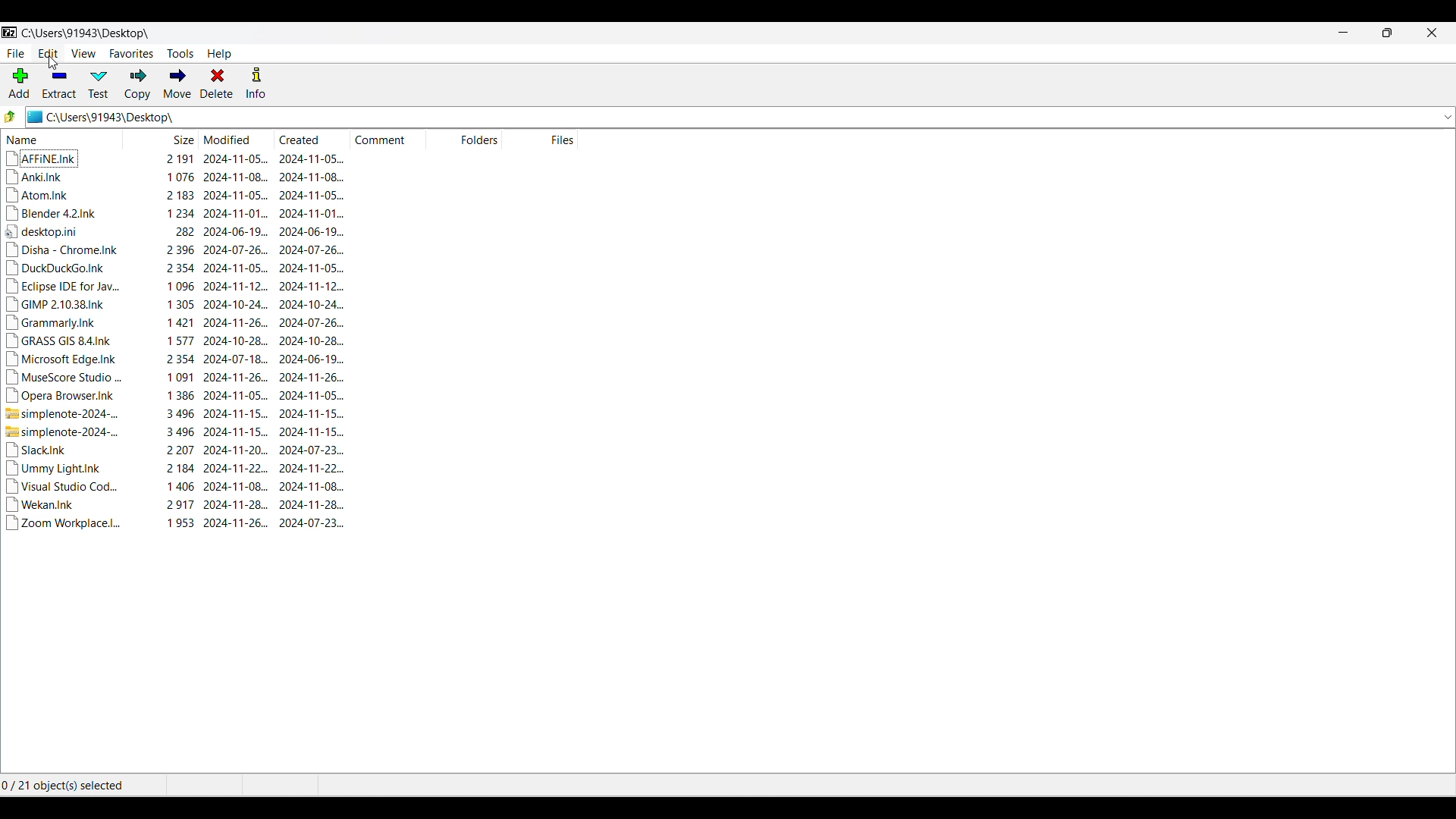 The image size is (1456, 819). What do you see at coordinates (87, 33) in the screenshot?
I see `Location of current folder` at bounding box center [87, 33].